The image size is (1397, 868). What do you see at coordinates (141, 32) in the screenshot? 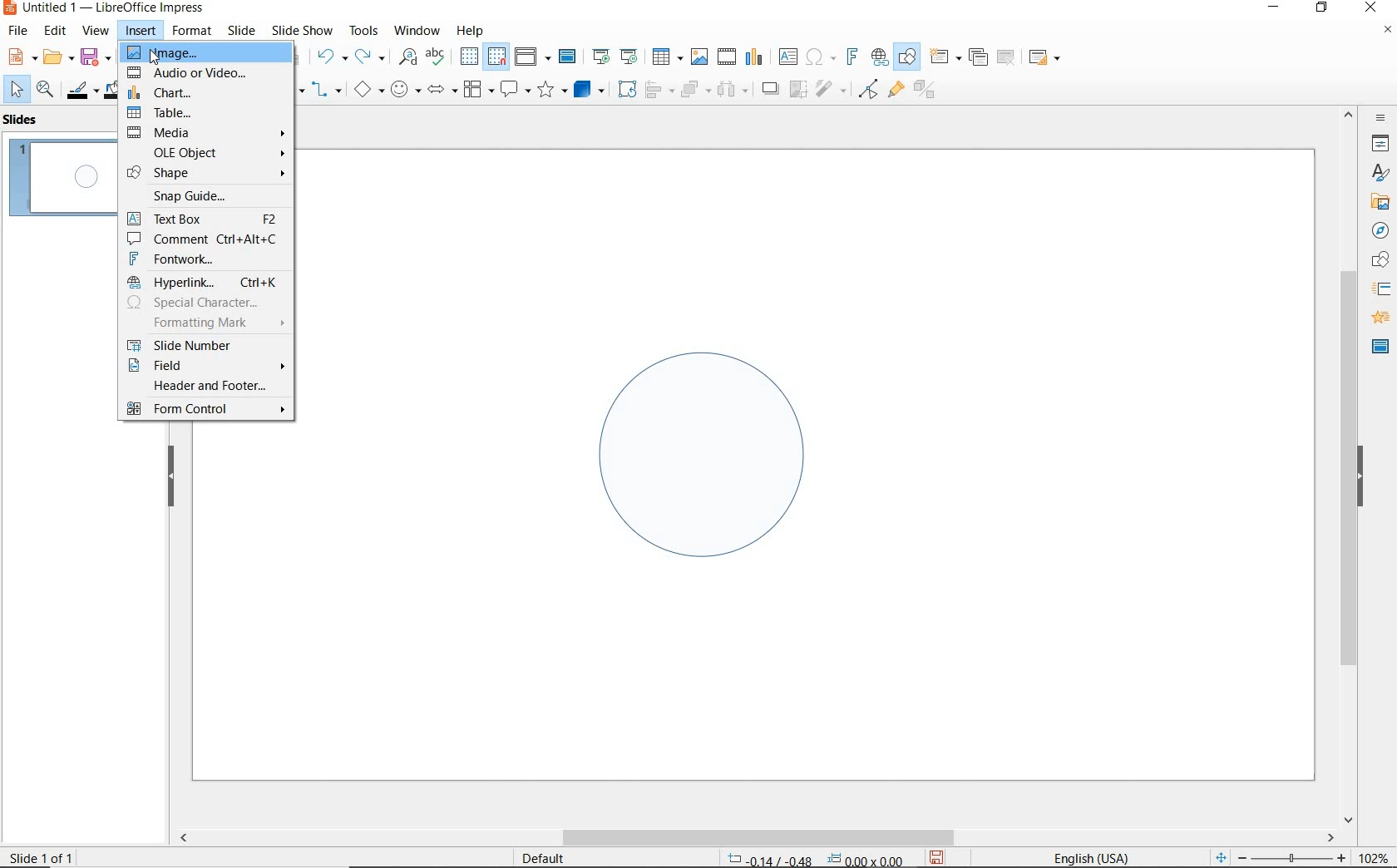
I see `insert` at bounding box center [141, 32].